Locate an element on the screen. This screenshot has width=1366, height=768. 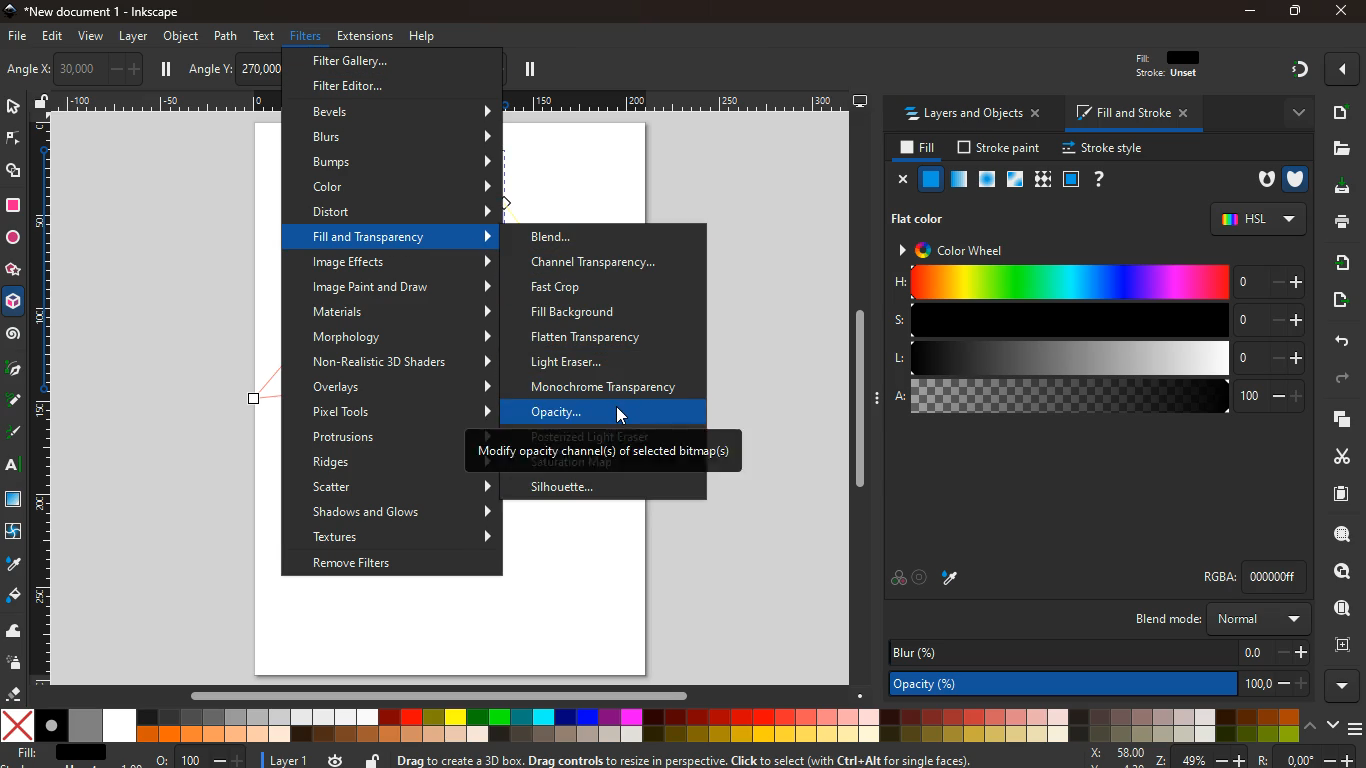
file is located at coordinates (16, 35).